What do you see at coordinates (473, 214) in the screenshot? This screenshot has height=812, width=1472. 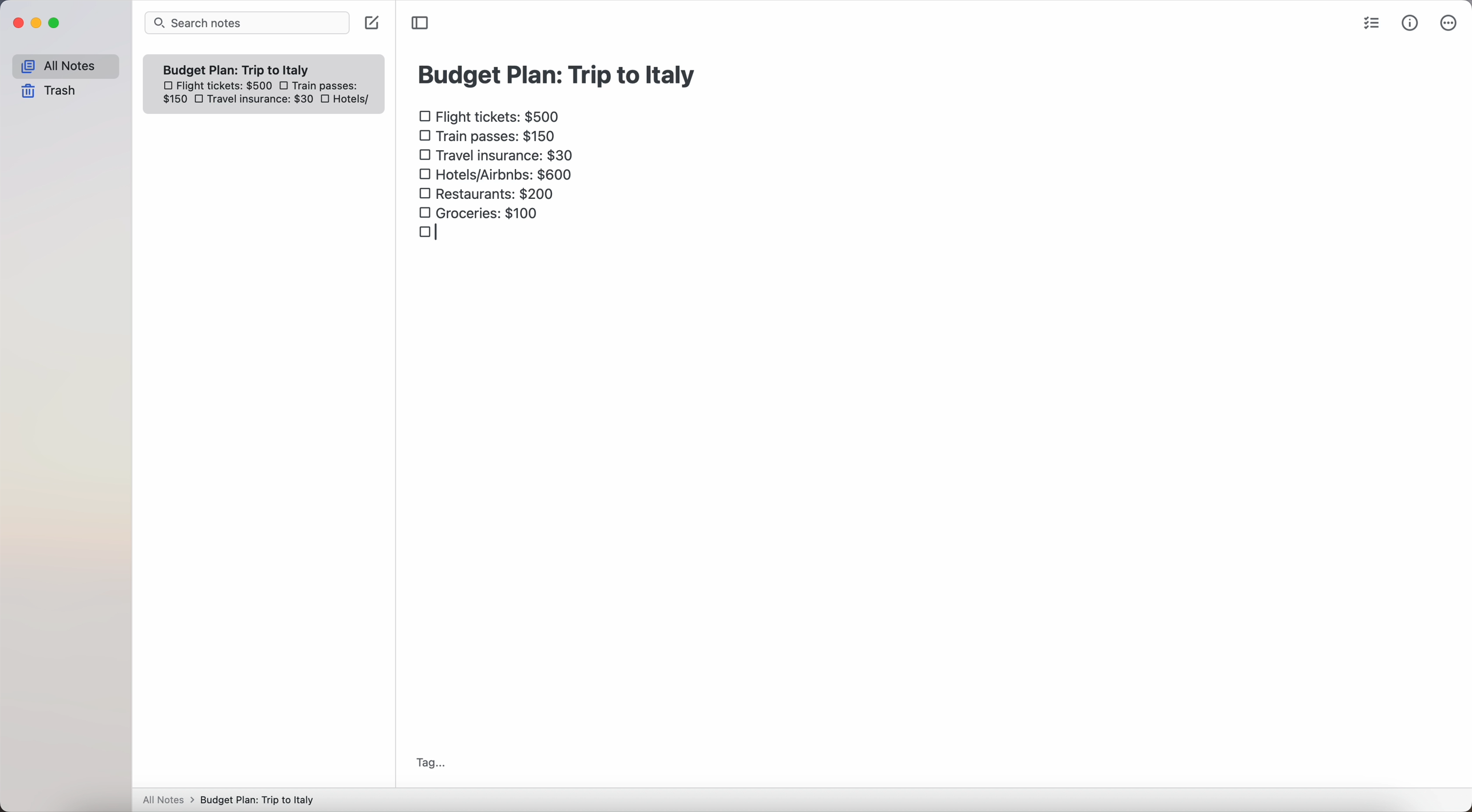 I see `groceries: $100 checkbox` at bounding box center [473, 214].